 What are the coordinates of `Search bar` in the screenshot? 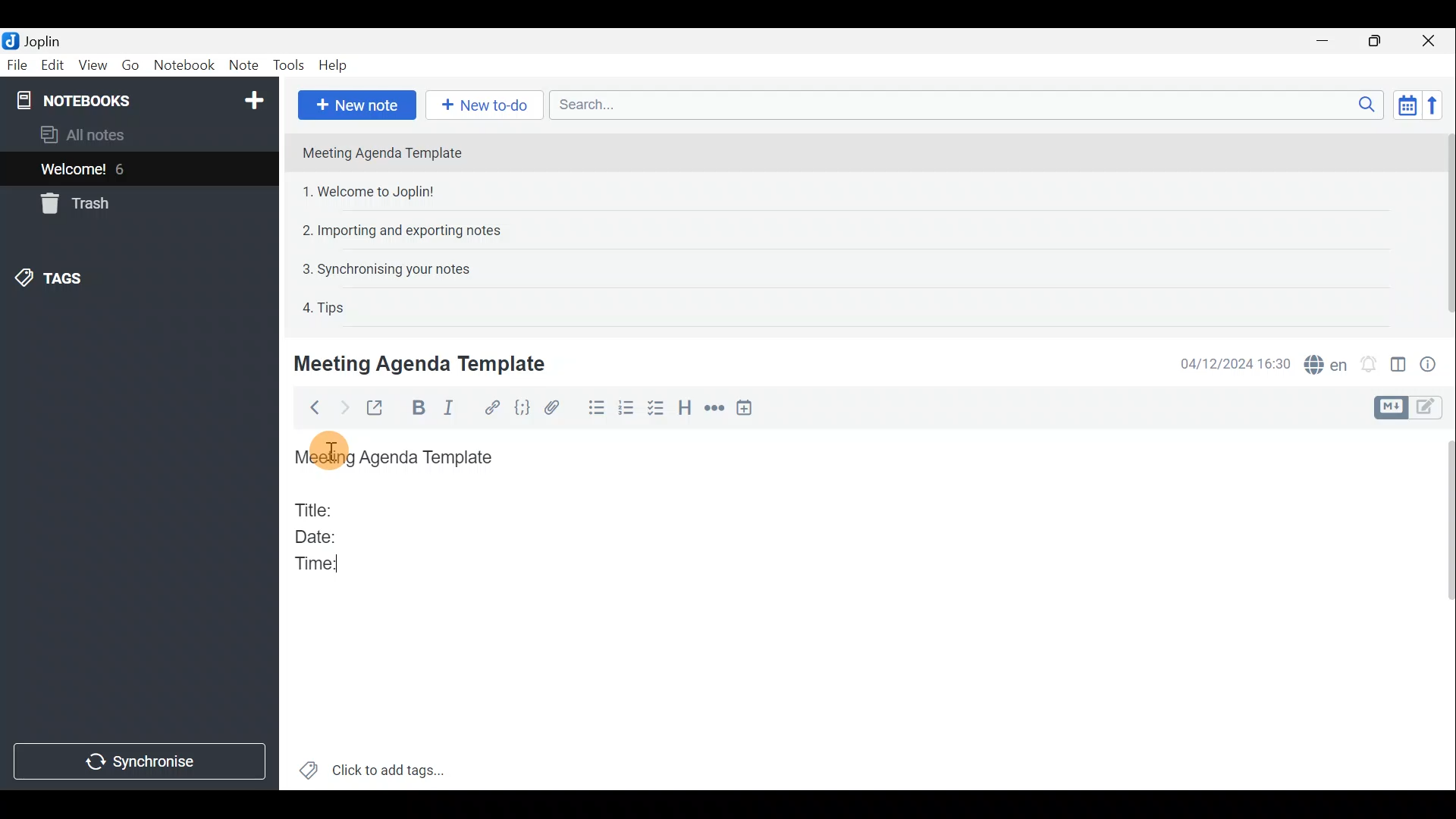 It's located at (962, 104).